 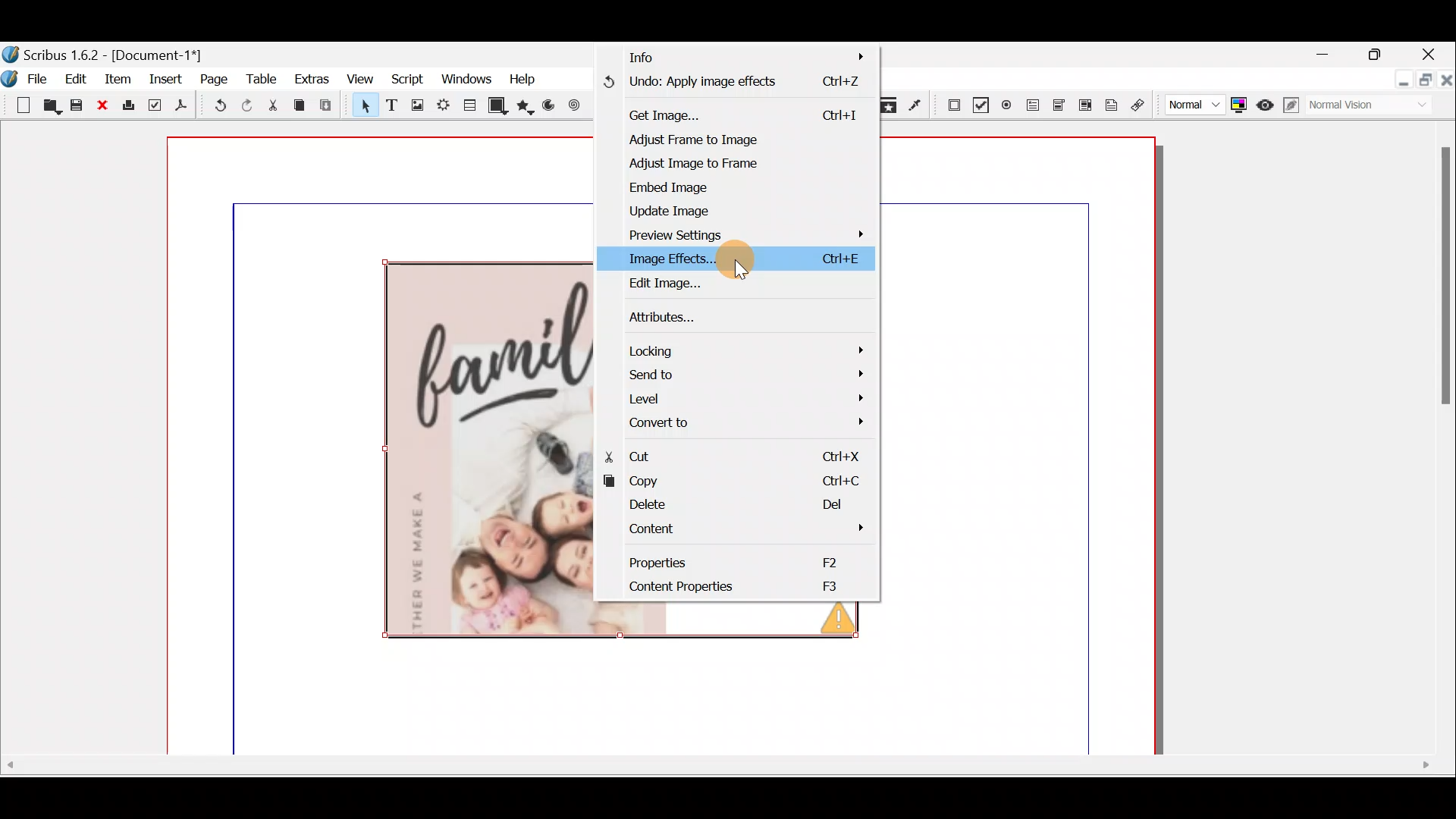 What do you see at coordinates (680, 164) in the screenshot?
I see `Adjust image to frame` at bounding box center [680, 164].